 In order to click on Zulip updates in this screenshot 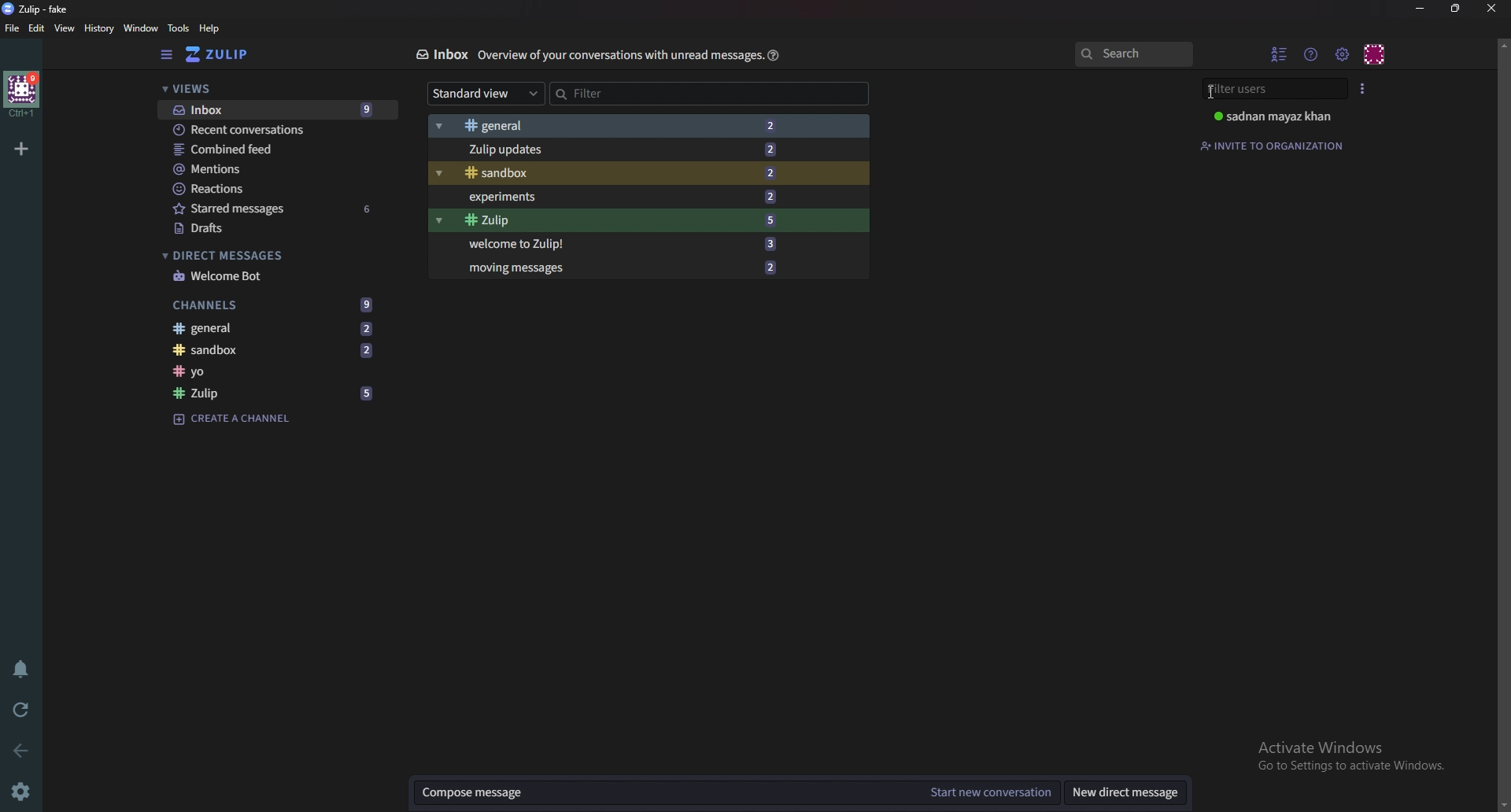, I will do `click(617, 150)`.